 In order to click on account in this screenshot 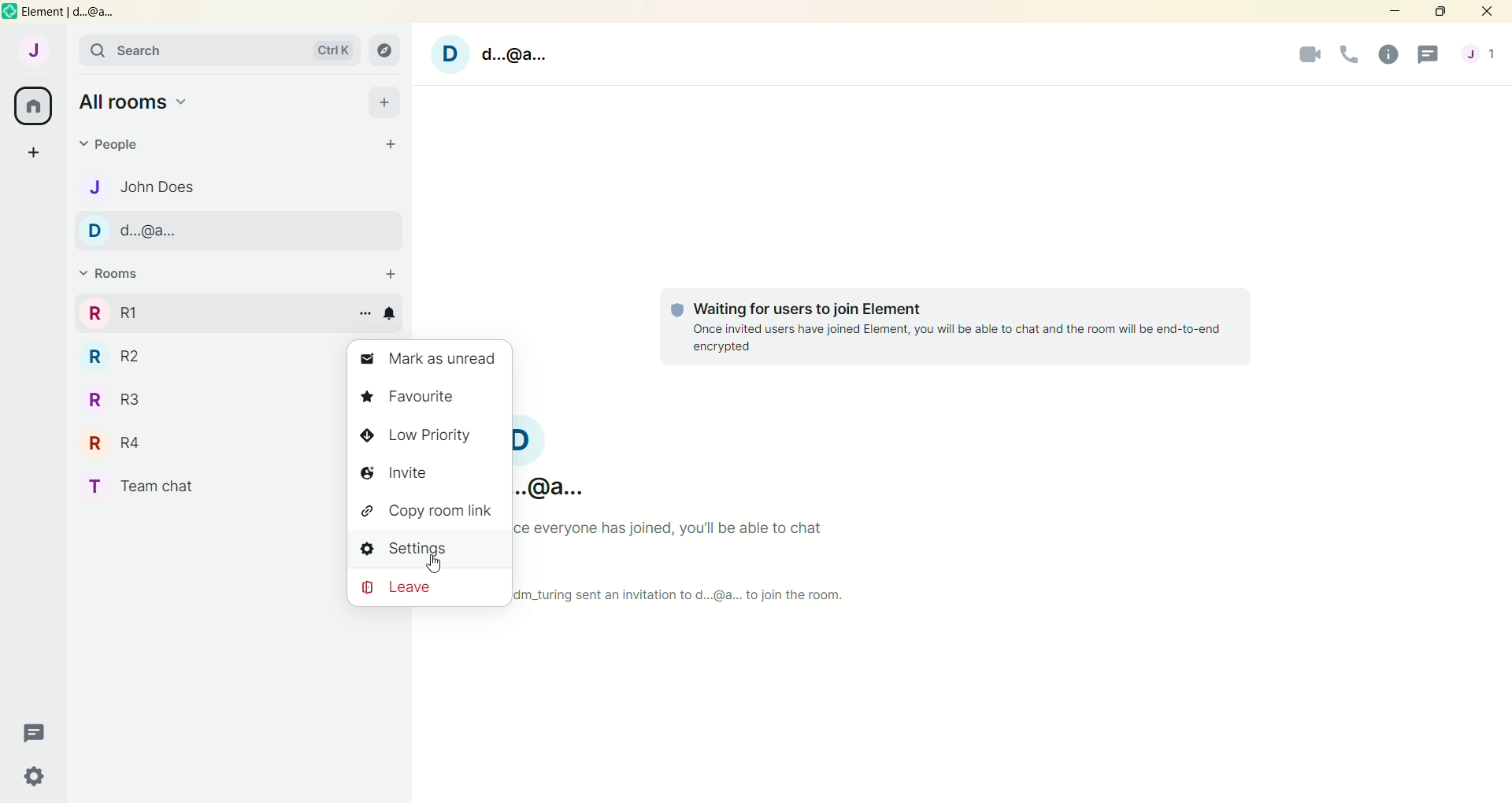, I will do `click(1480, 54)`.